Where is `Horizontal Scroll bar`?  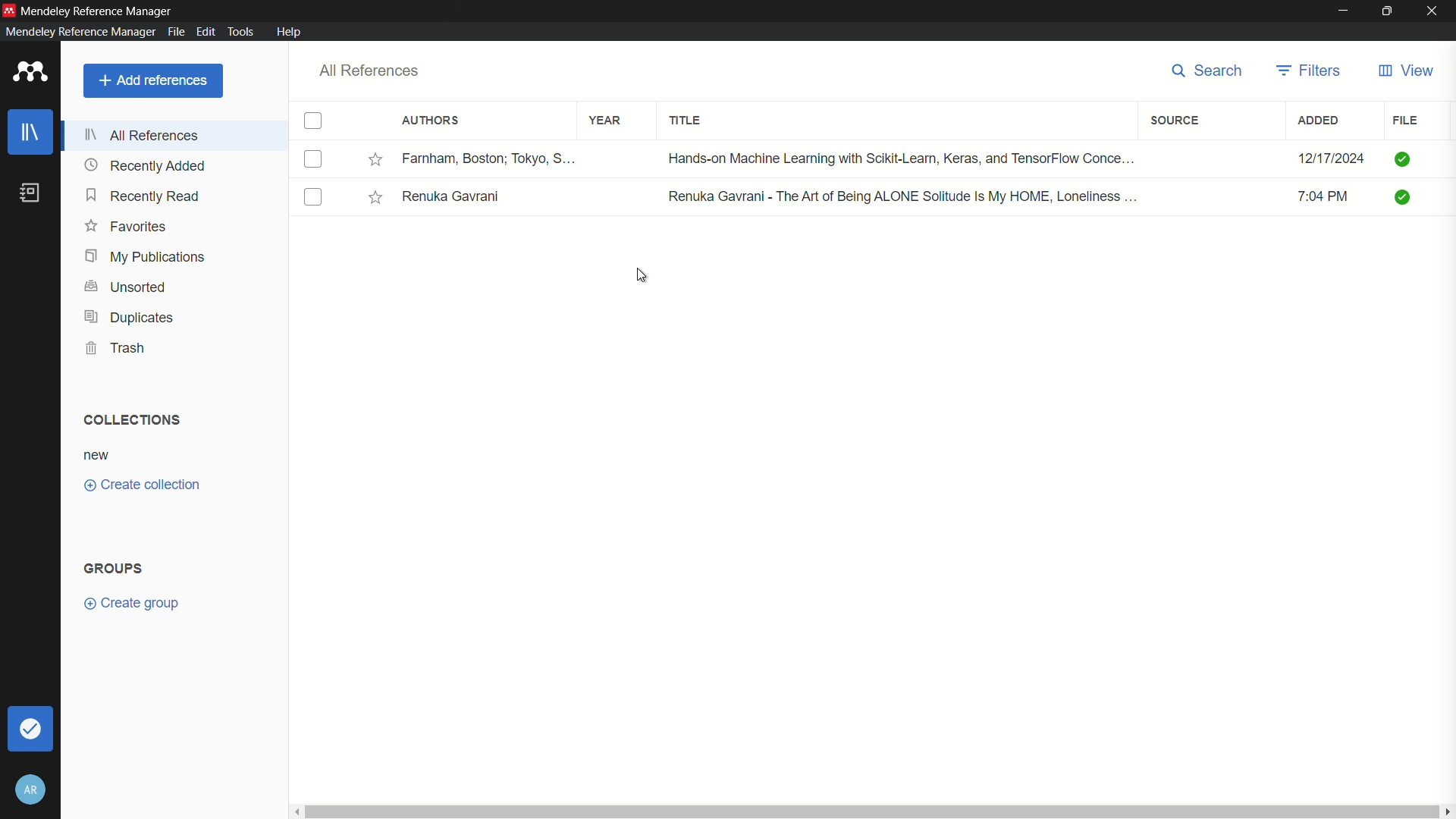
Horizontal Scroll bar is located at coordinates (874, 811).